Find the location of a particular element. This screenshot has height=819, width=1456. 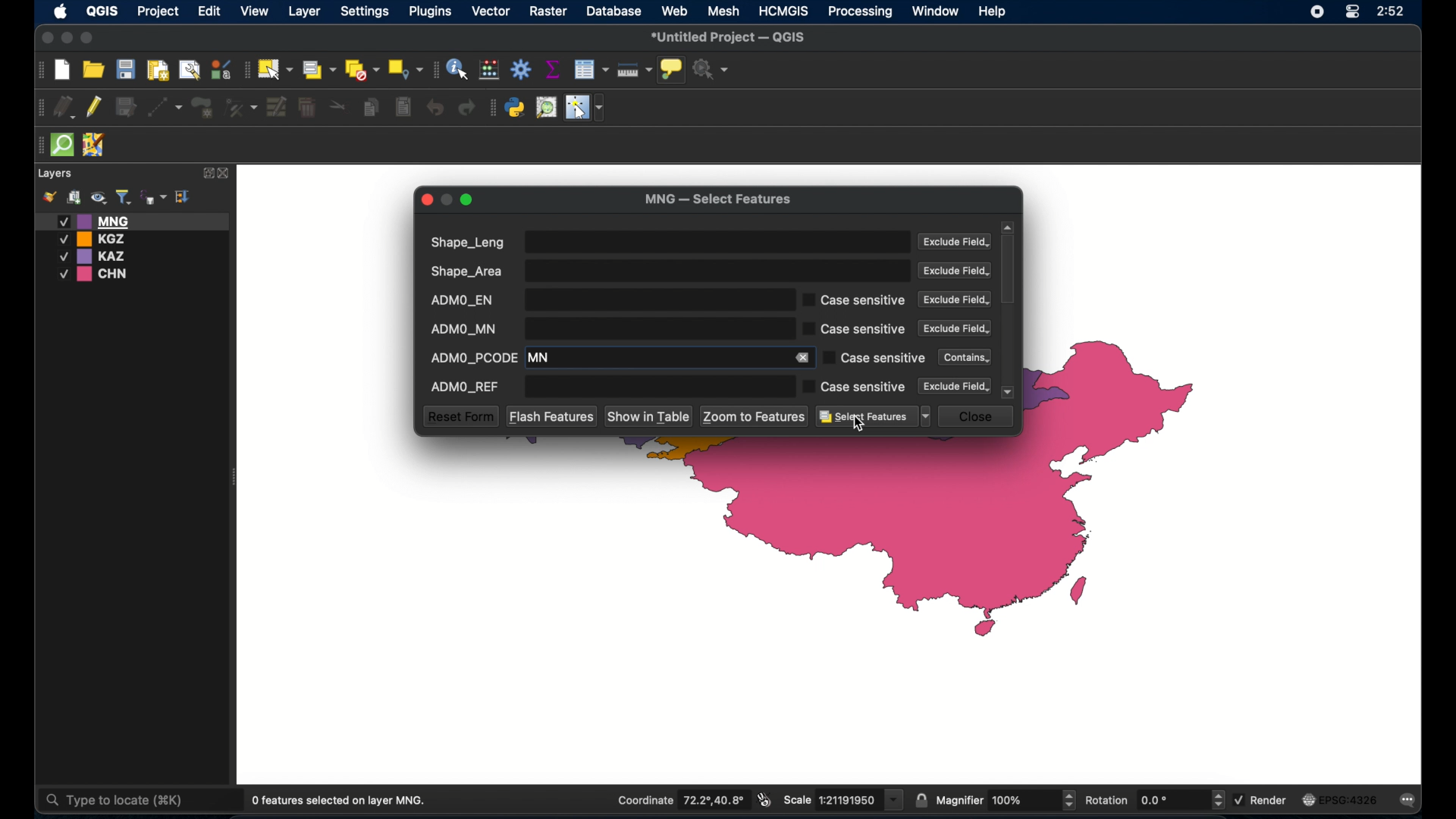

print layout is located at coordinates (157, 69).